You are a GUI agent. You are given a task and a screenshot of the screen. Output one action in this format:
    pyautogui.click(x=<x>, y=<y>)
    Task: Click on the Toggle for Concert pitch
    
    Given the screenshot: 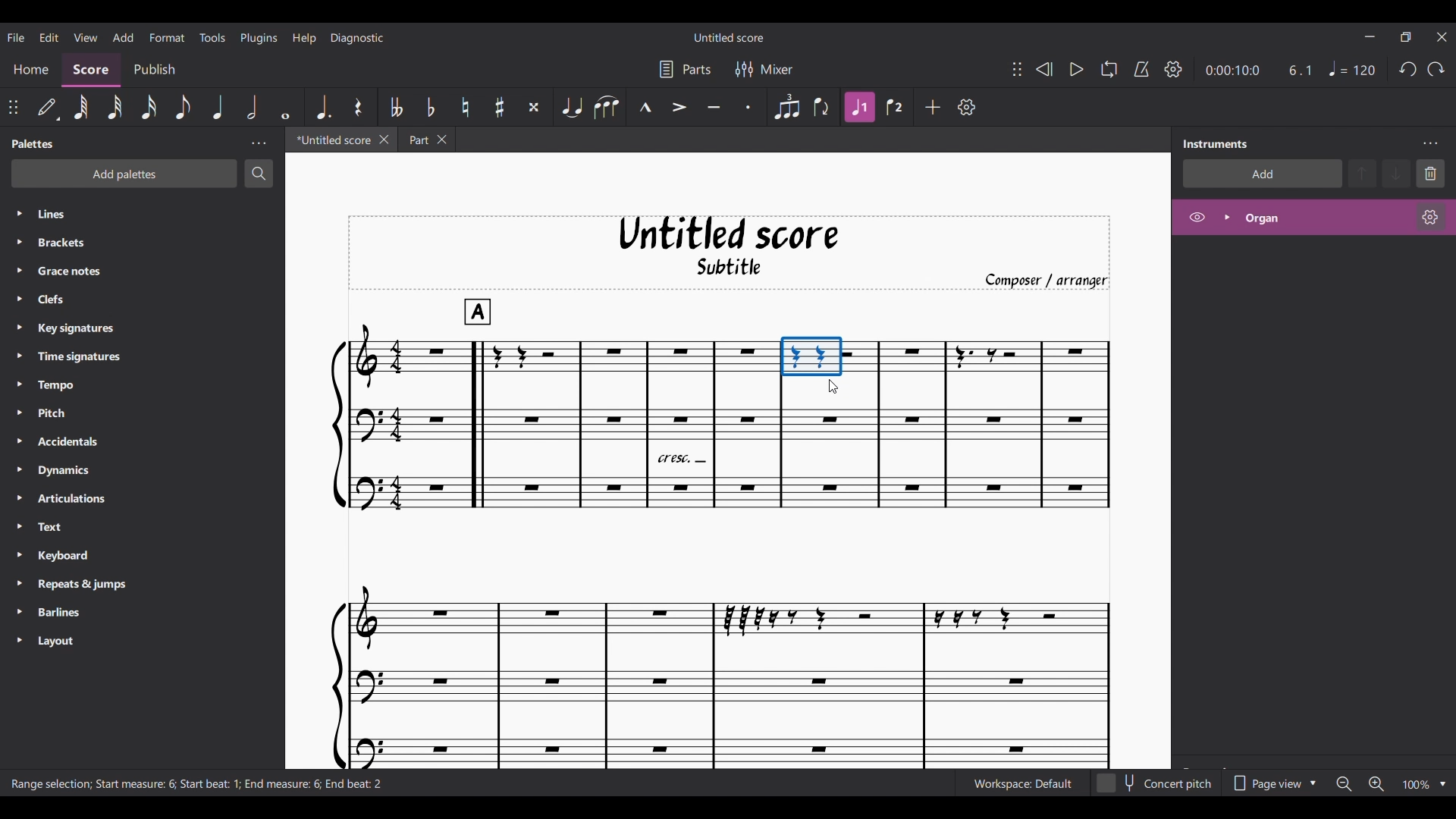 What is the action you would take?
    pyautogui.click(x=1156, y=783)
    